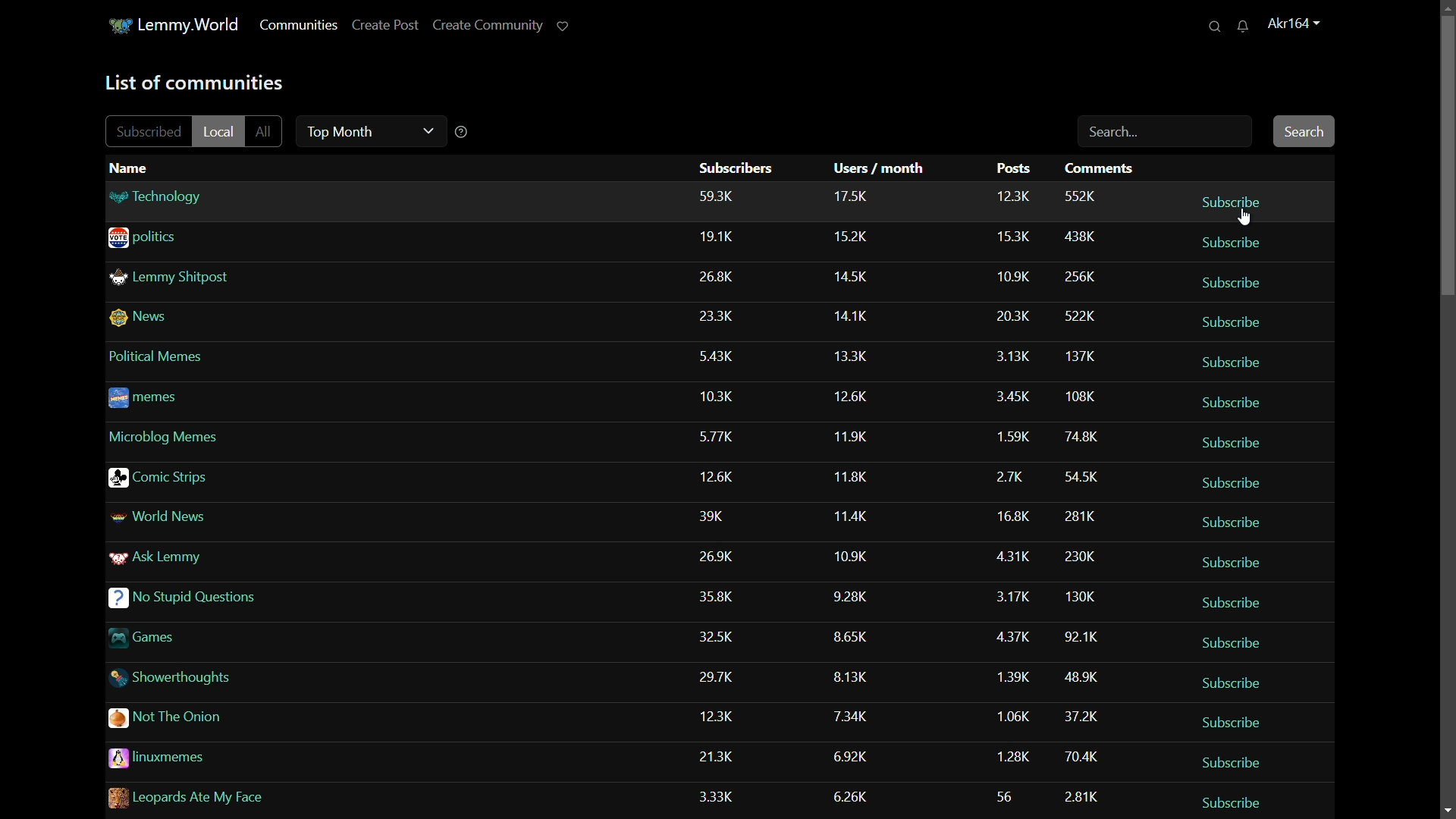 This screenshot has width=1456, height=819. What do you see at coordinates (193, 82) in the screenshot?
I see `list of communities` at bounding box center [193, 82].